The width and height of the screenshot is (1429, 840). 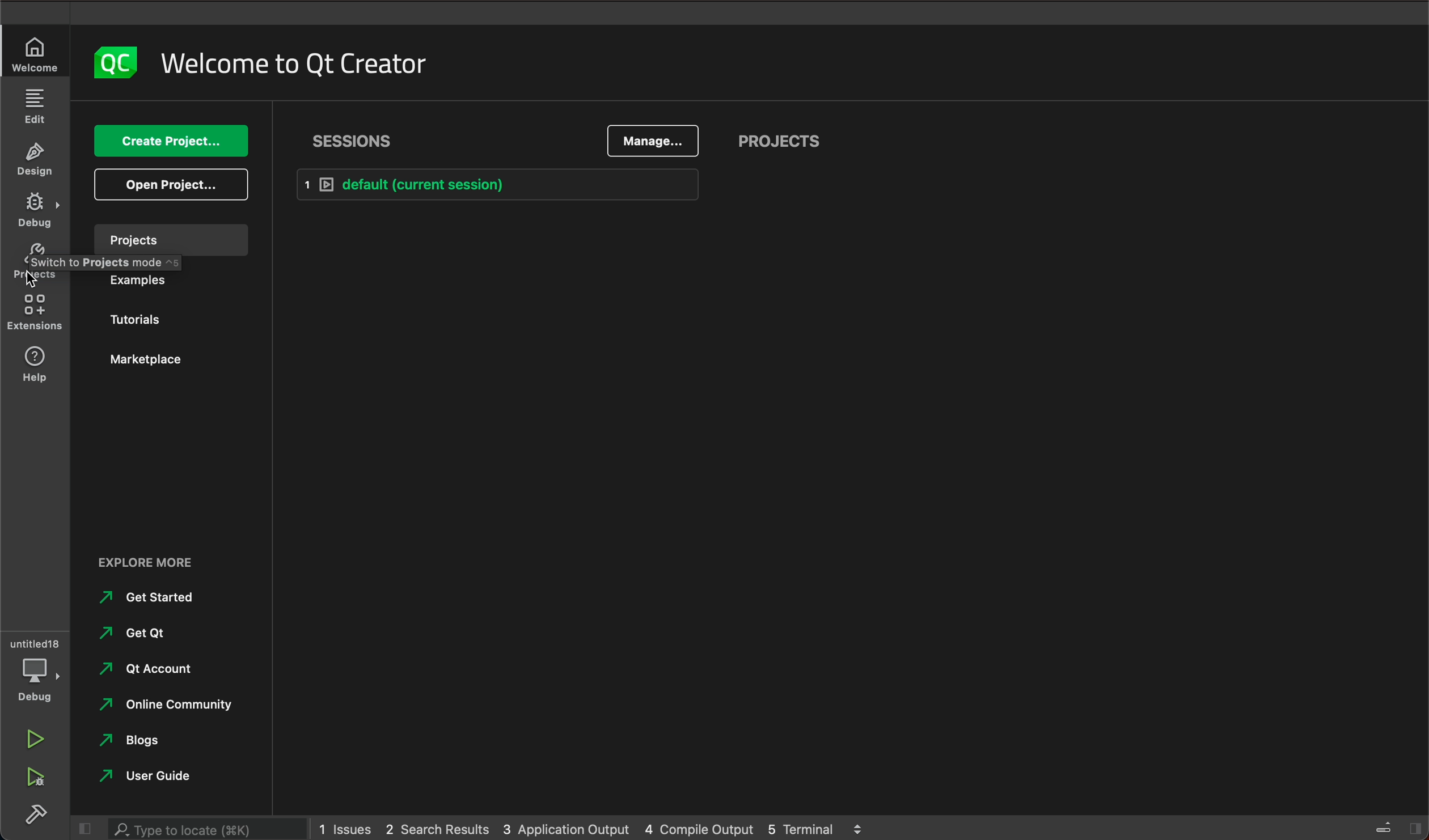 What do you see at coordinates (143, 562) in the screenshot?
I see `explore more` at bounding box center [143, 562].